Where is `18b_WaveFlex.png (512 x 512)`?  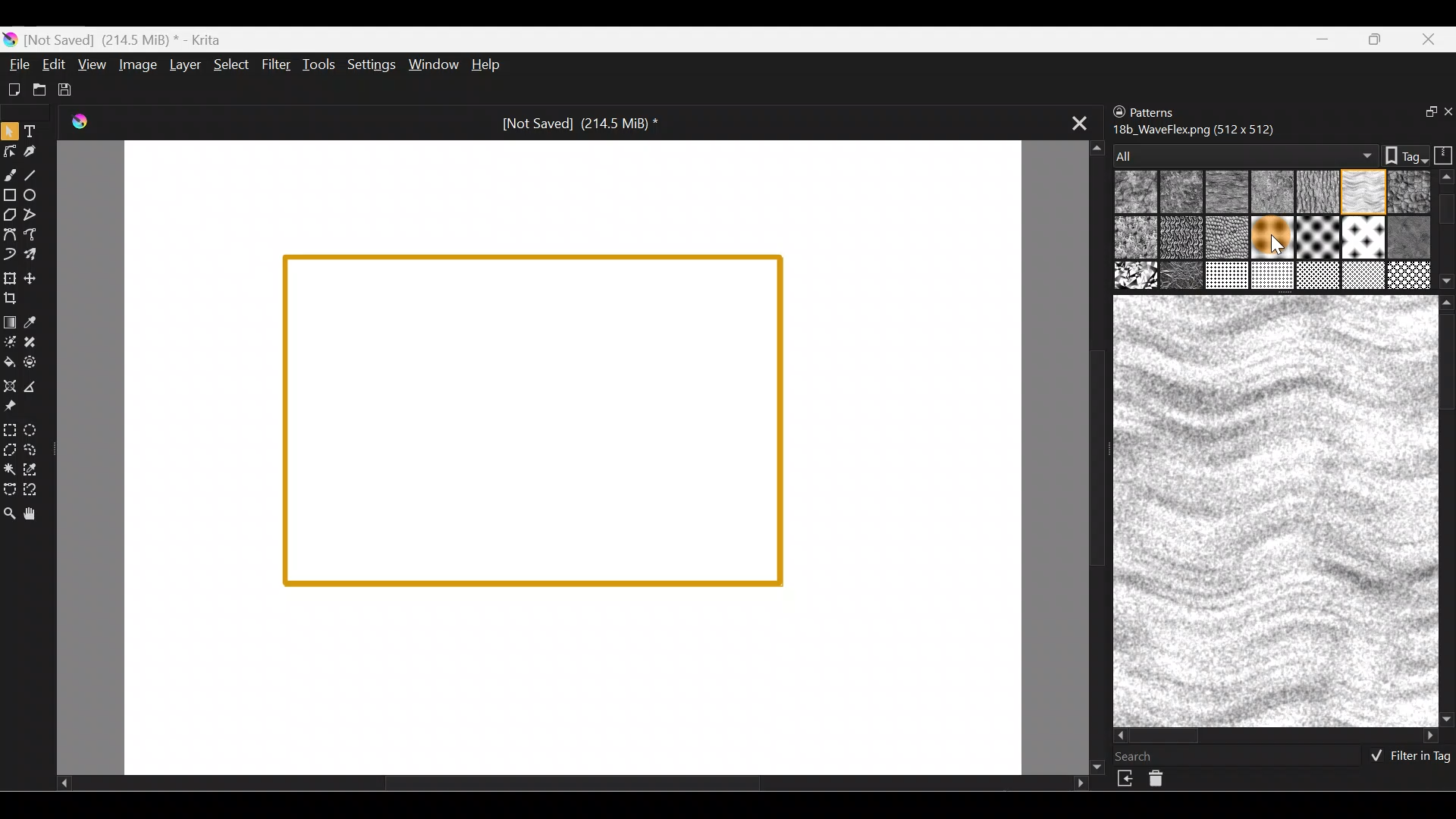 18b_WaveFlex.png (512 x 512) is located at coordinates (1197, 130).